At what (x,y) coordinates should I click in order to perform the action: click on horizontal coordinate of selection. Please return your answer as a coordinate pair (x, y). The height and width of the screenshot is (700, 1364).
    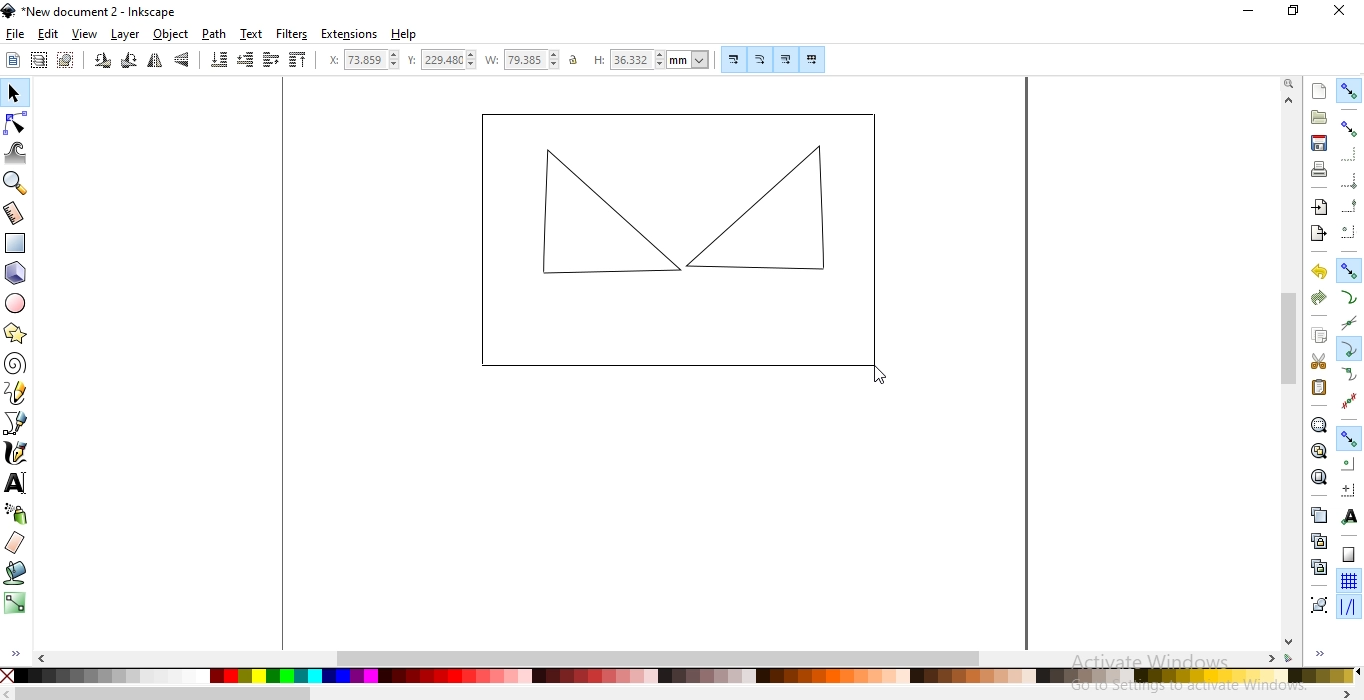
    Looking at the image, I should click on (365, 59).